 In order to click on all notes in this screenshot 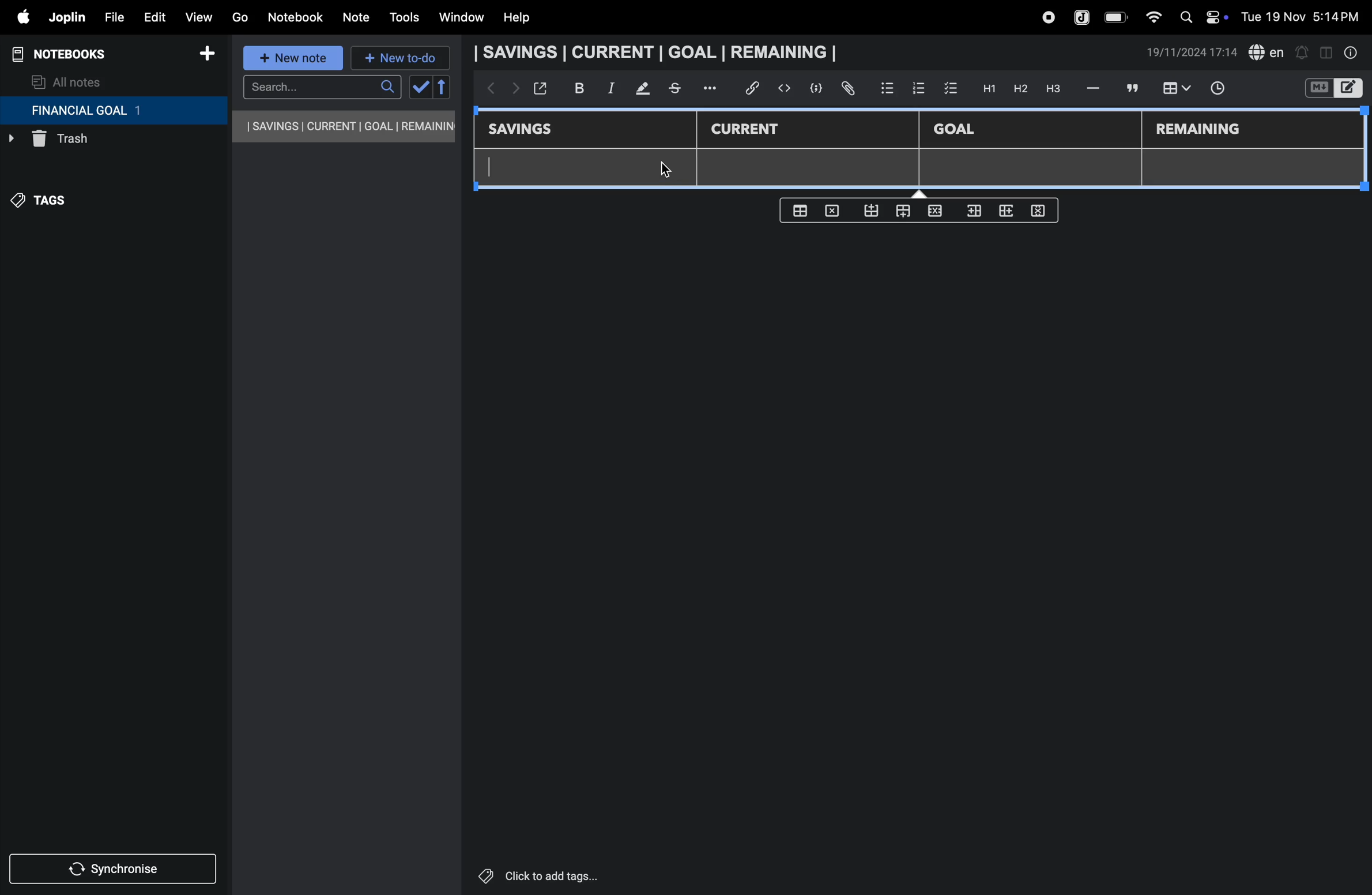, I will do `click(67, 81)`.